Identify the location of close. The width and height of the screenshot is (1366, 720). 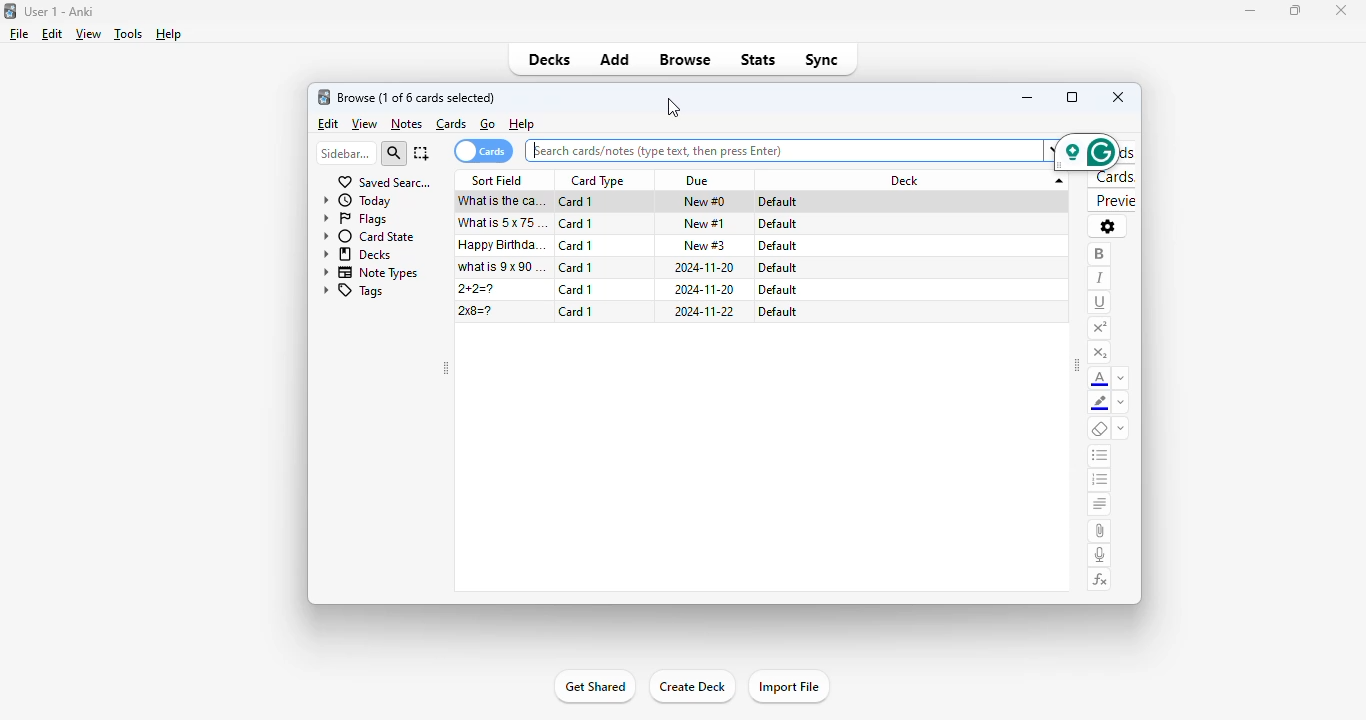
(1118, 97).